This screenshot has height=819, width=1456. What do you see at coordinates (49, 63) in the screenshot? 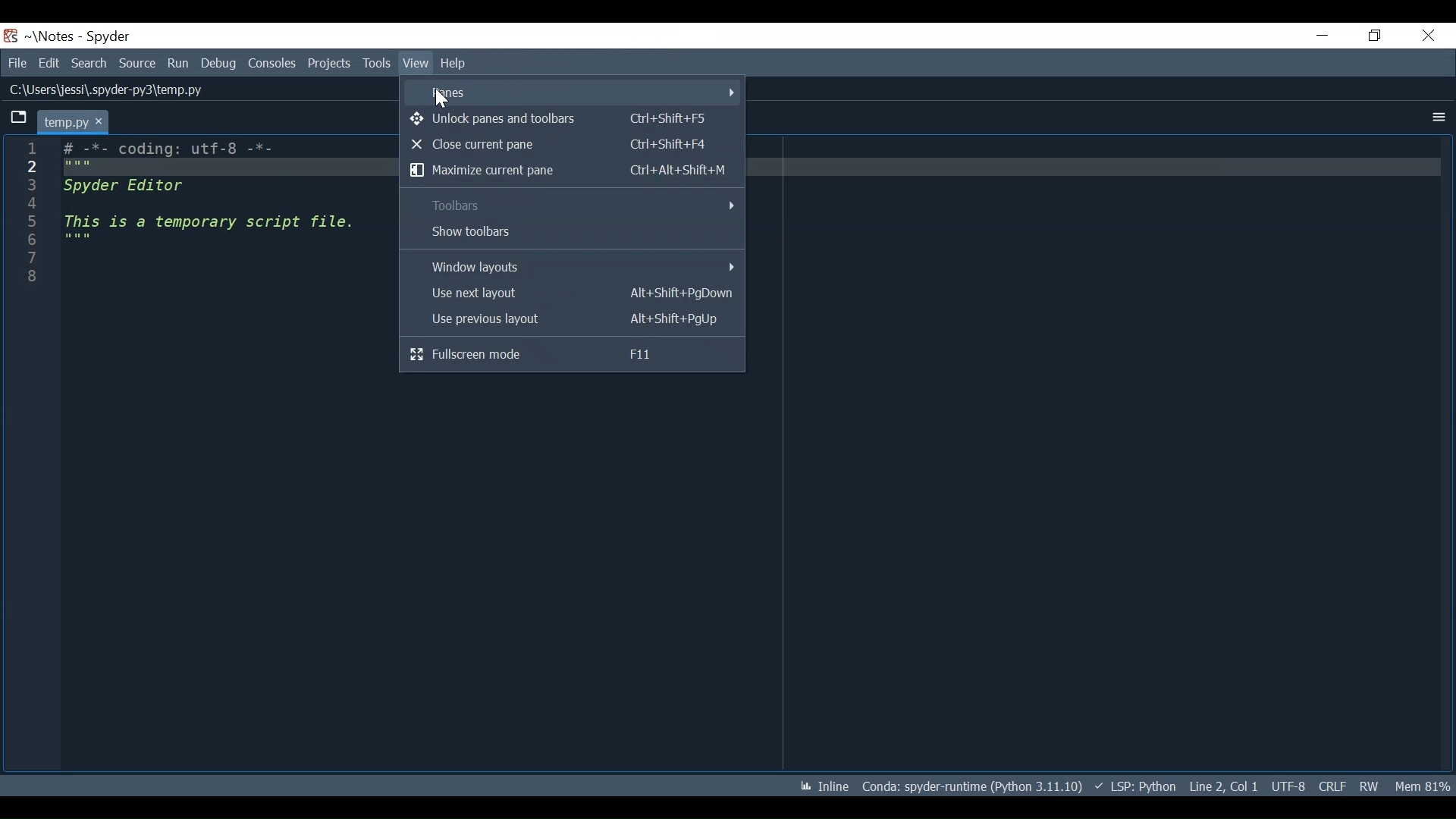
I see `Edit` at bounding box center [49, 63].